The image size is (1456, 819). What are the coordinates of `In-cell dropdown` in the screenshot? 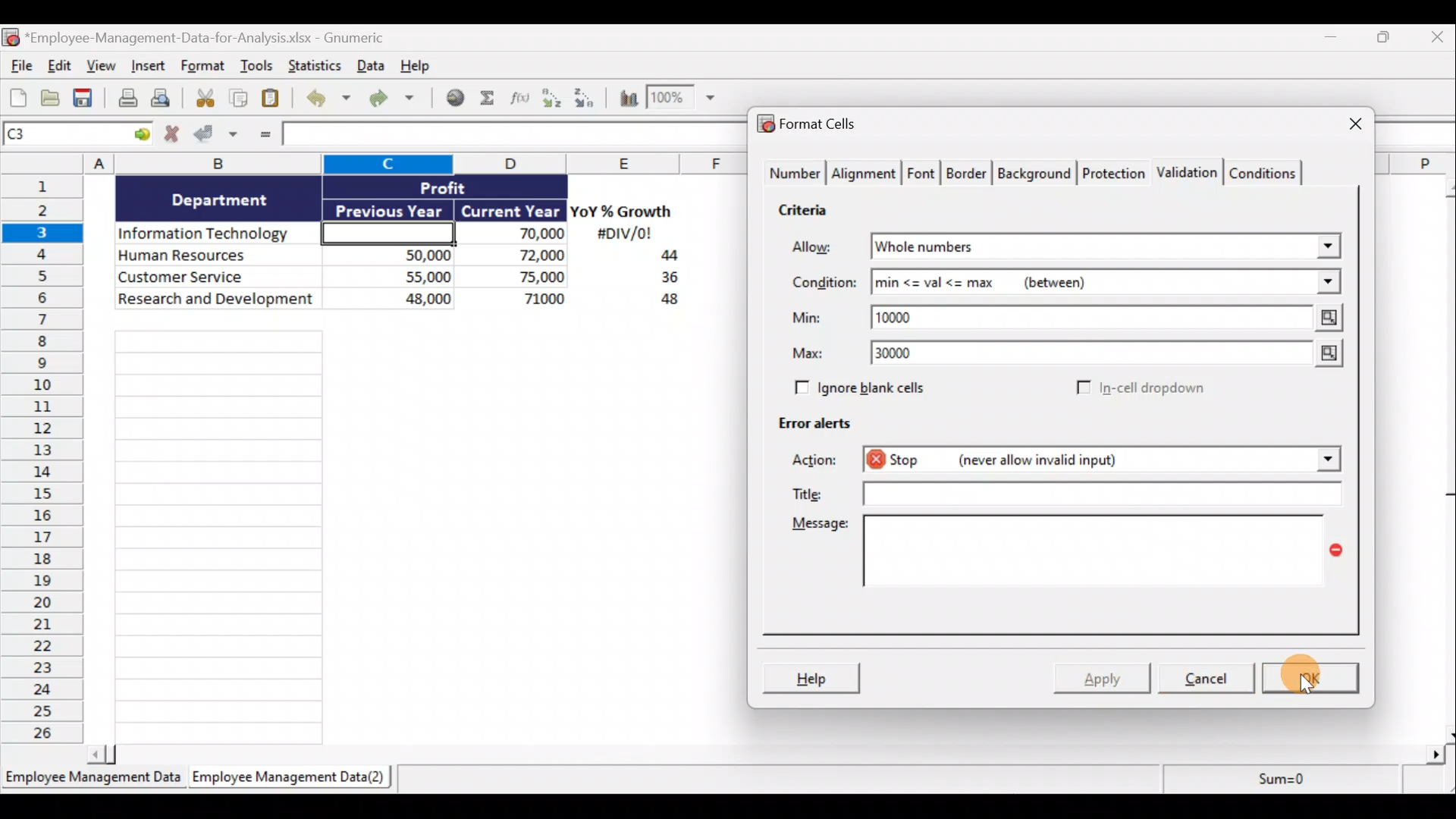 It's located at (1139, 389).